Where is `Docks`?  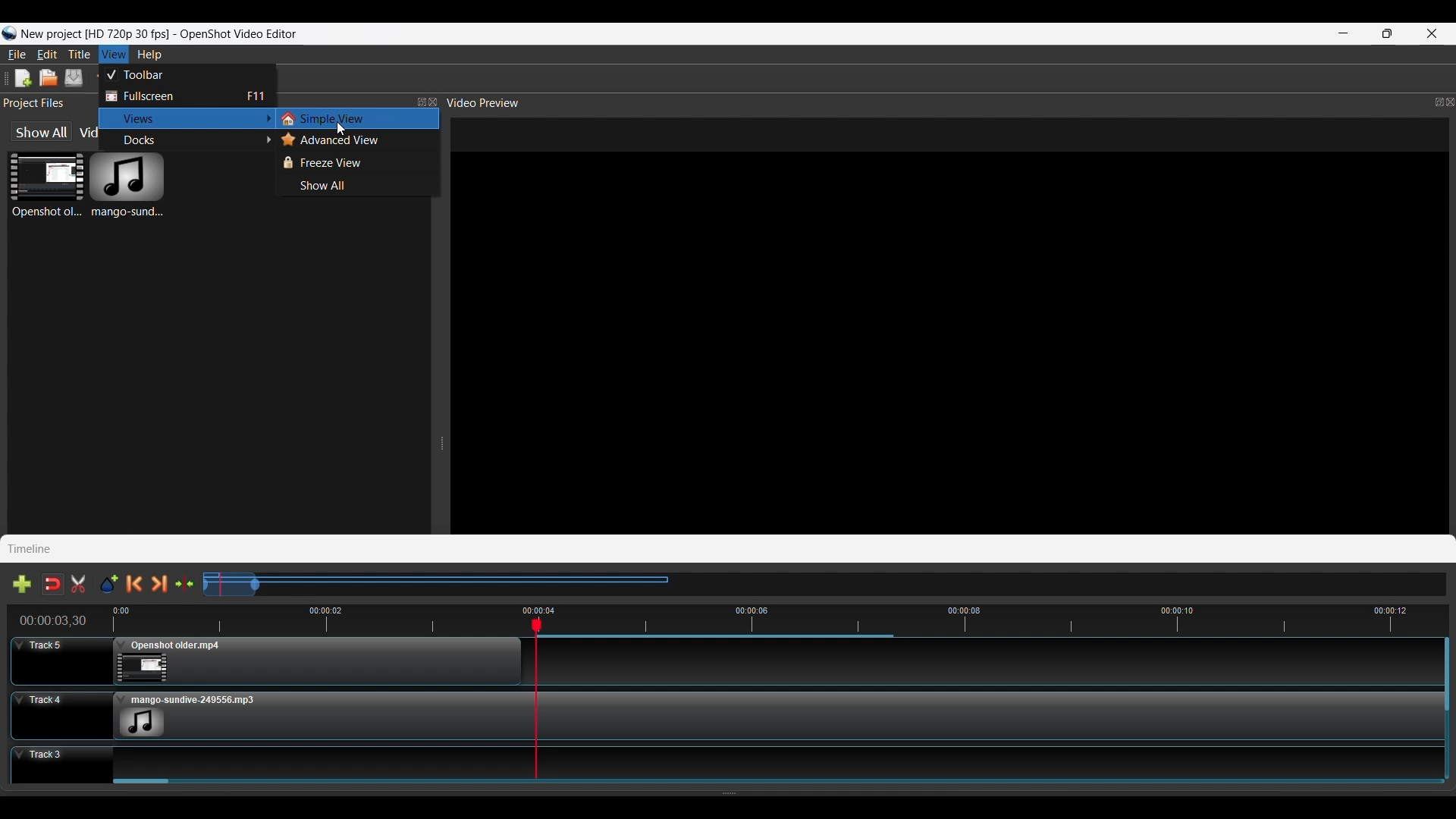 Docks is located at coordinates (187, 141).